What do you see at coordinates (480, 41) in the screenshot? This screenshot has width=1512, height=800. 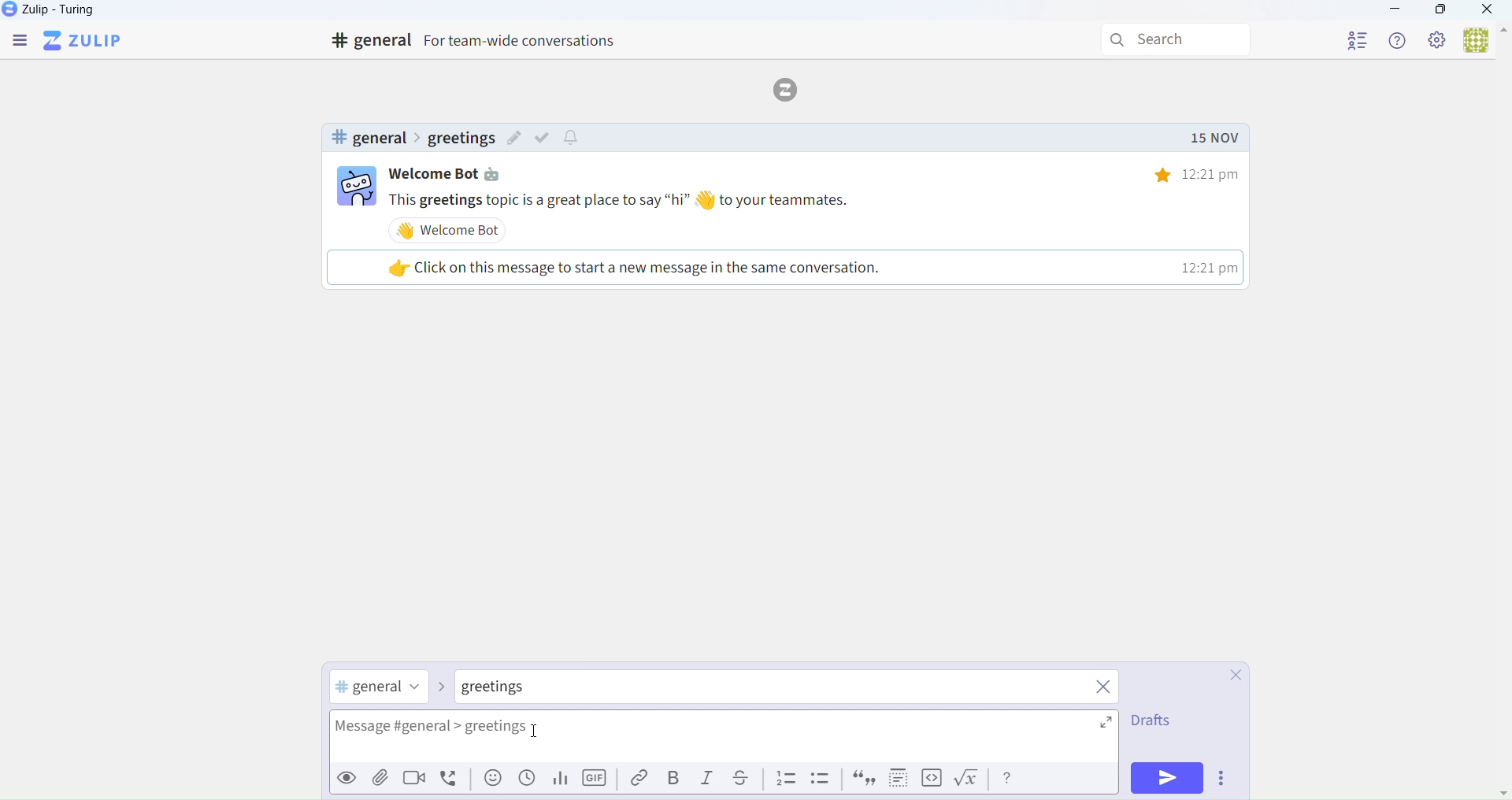 I see `General Tittle` at bounding box center [480, 41].